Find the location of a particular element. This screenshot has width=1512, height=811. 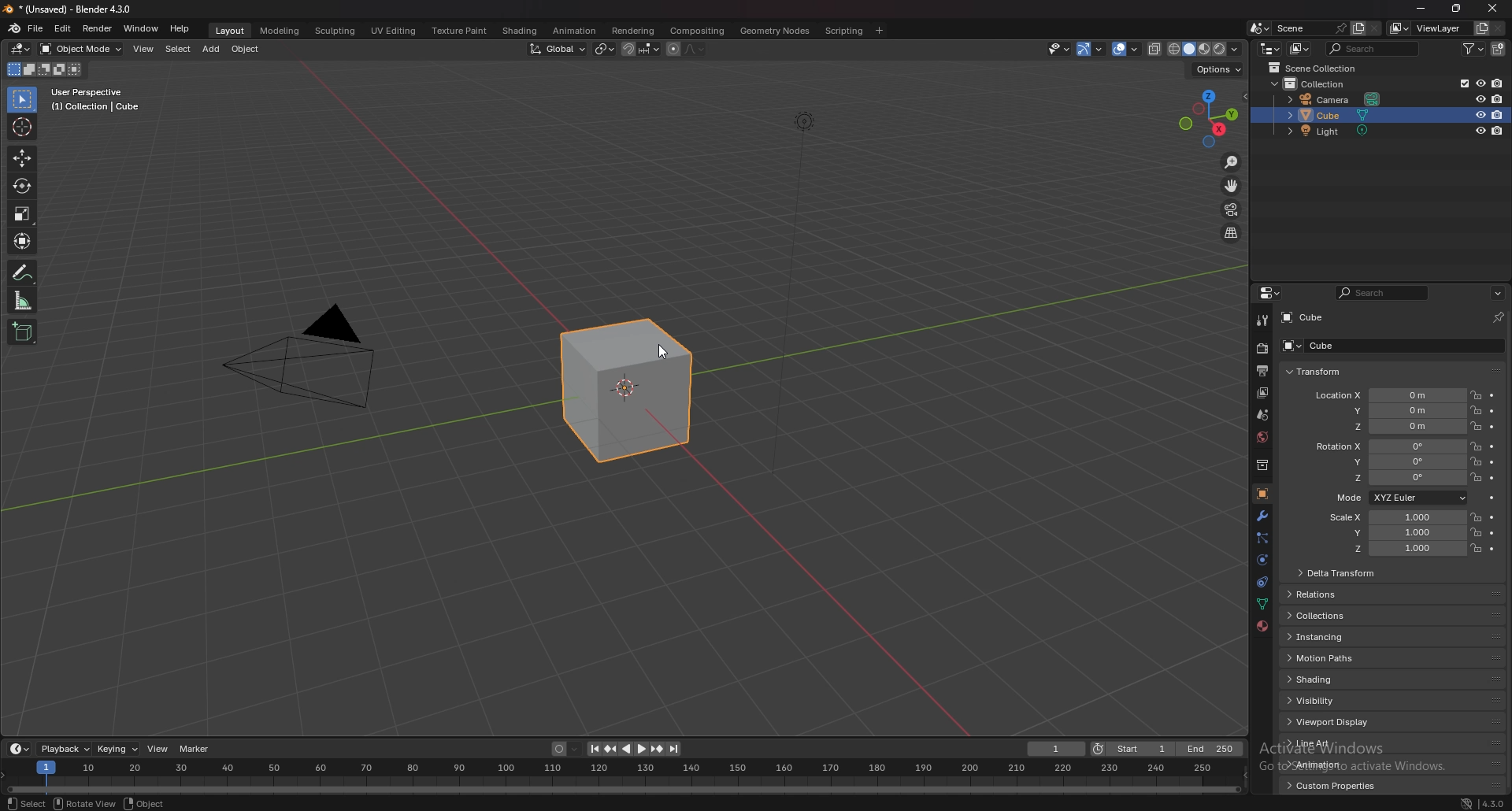

editor type is located at coordinates (1272, 293).